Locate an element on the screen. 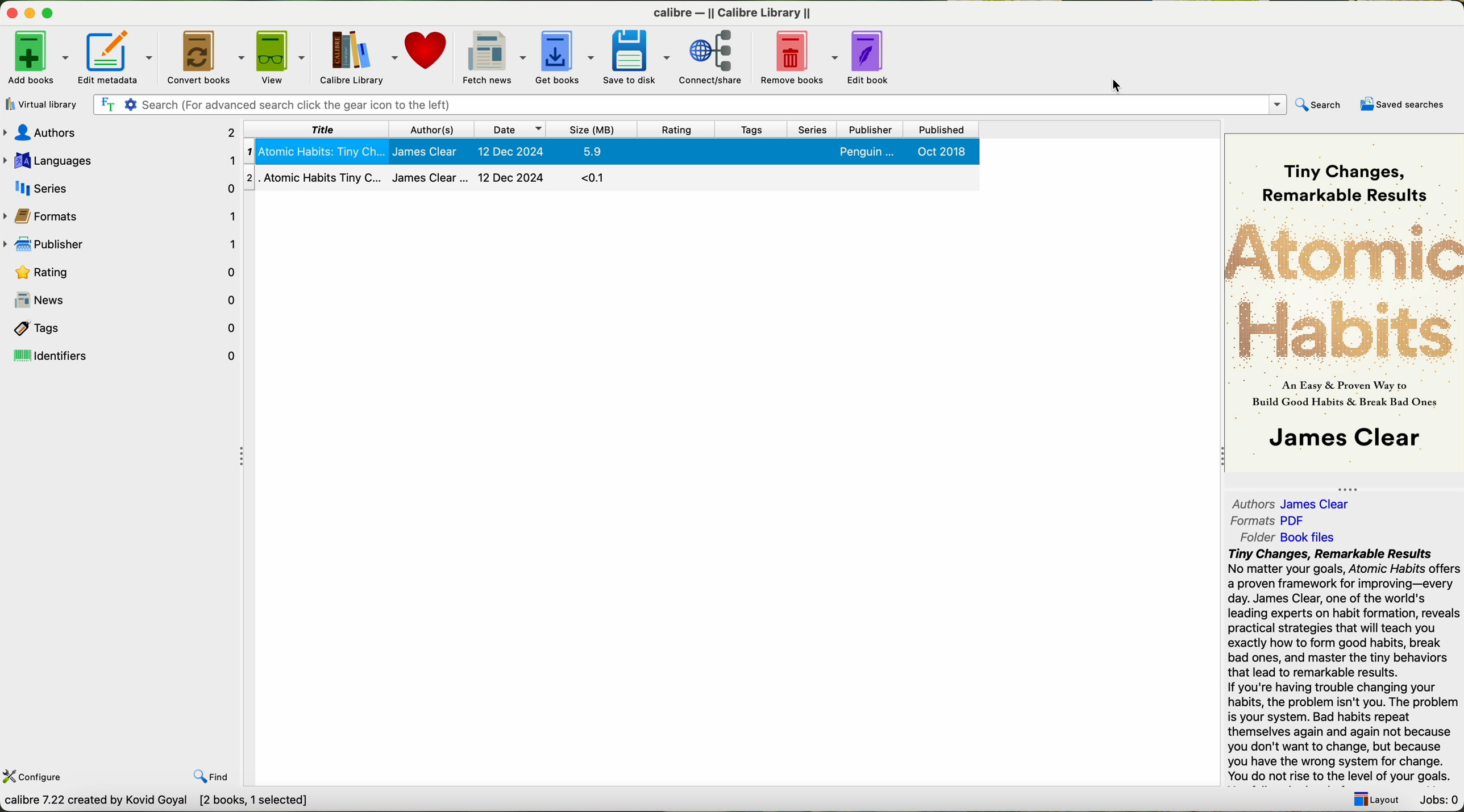  12 Dec 2024 is located at coordinates (511, 176).